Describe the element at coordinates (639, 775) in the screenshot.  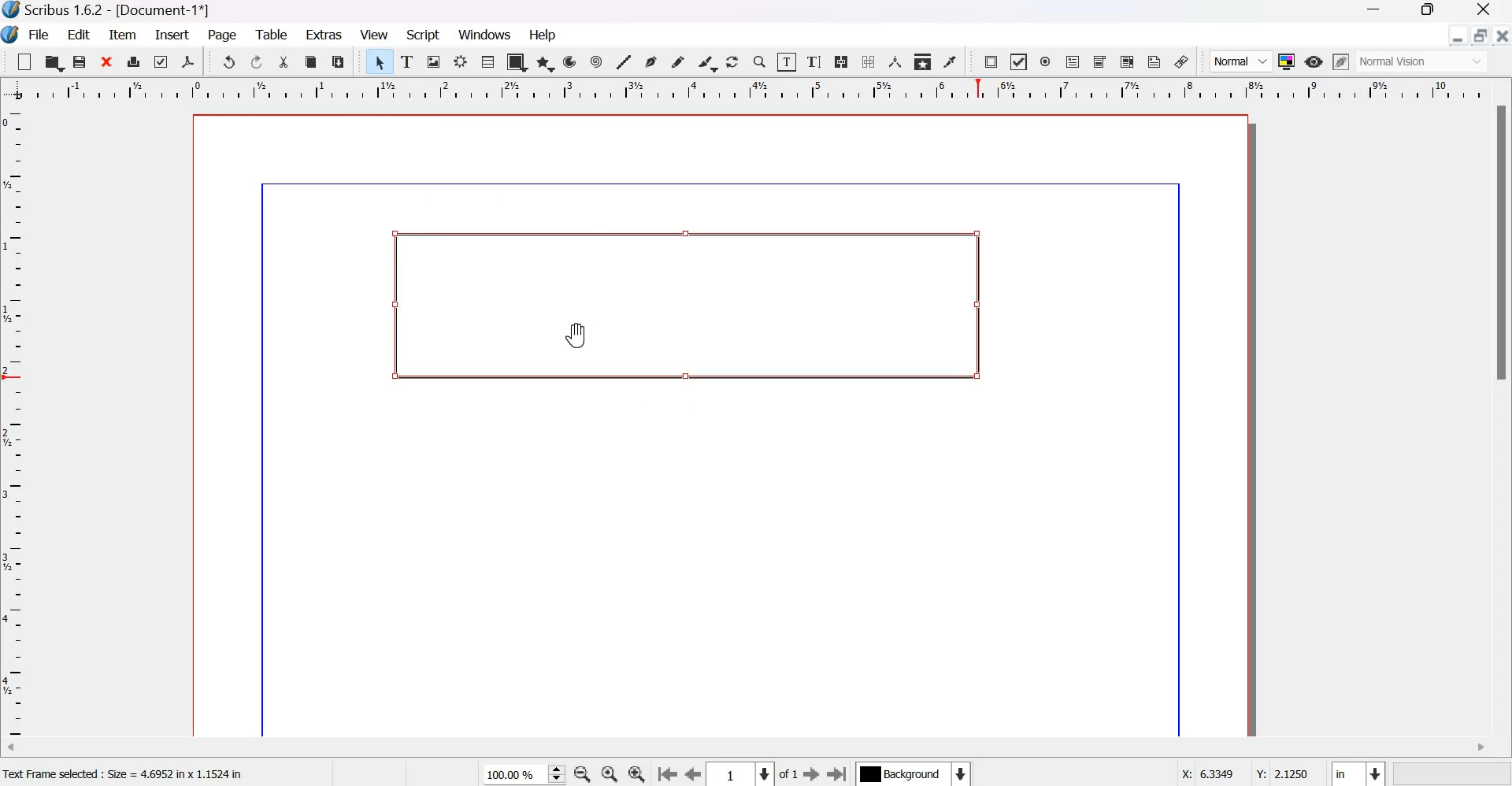
I see `` at that location.